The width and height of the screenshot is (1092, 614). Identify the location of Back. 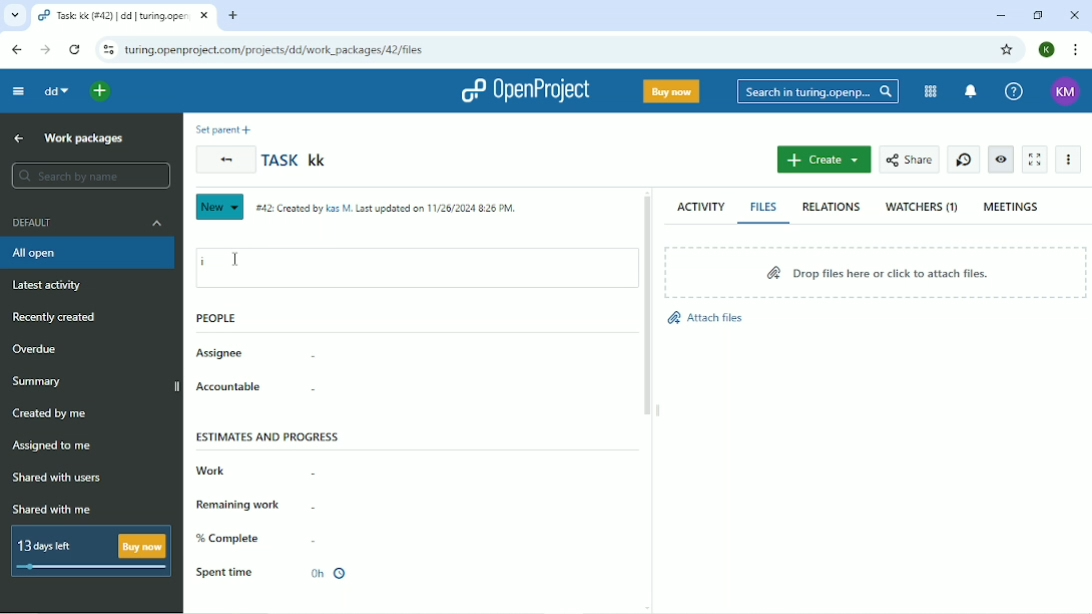
(17, 49).